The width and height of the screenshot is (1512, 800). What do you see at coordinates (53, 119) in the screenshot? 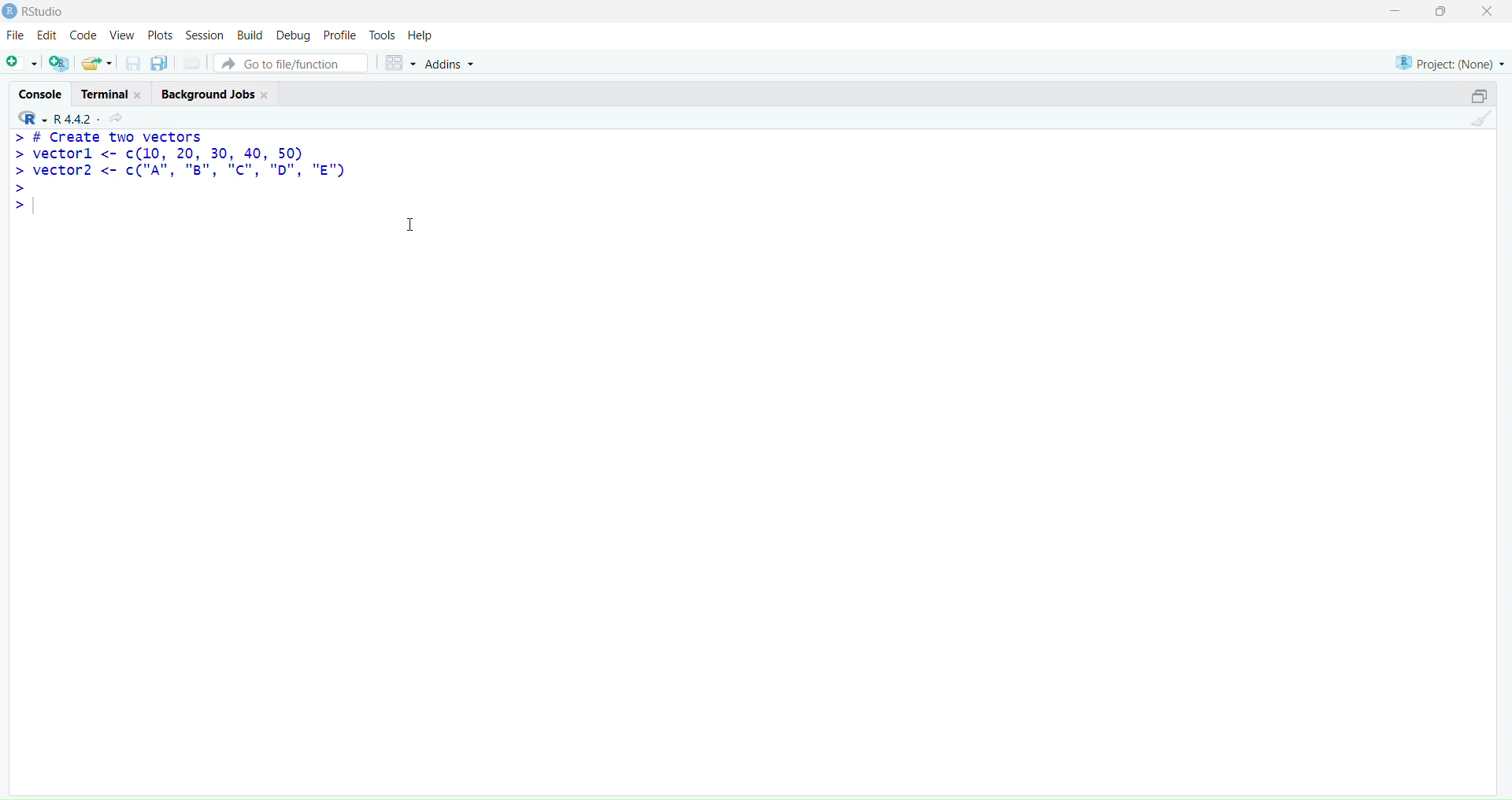
I see ` R 4.4.2` at bounding box center [53, 119].